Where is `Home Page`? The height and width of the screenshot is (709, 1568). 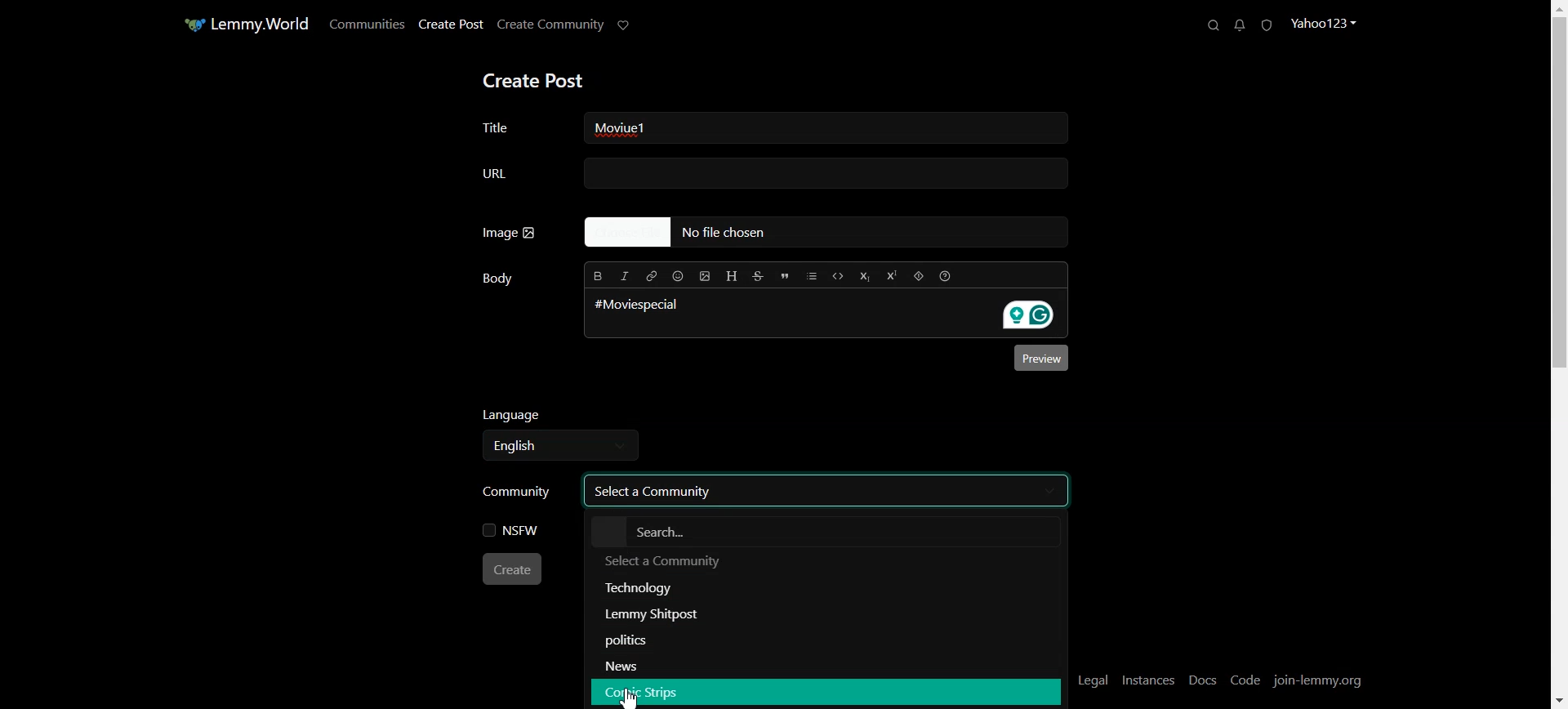 Home Page is located at coordinates (245, 25).